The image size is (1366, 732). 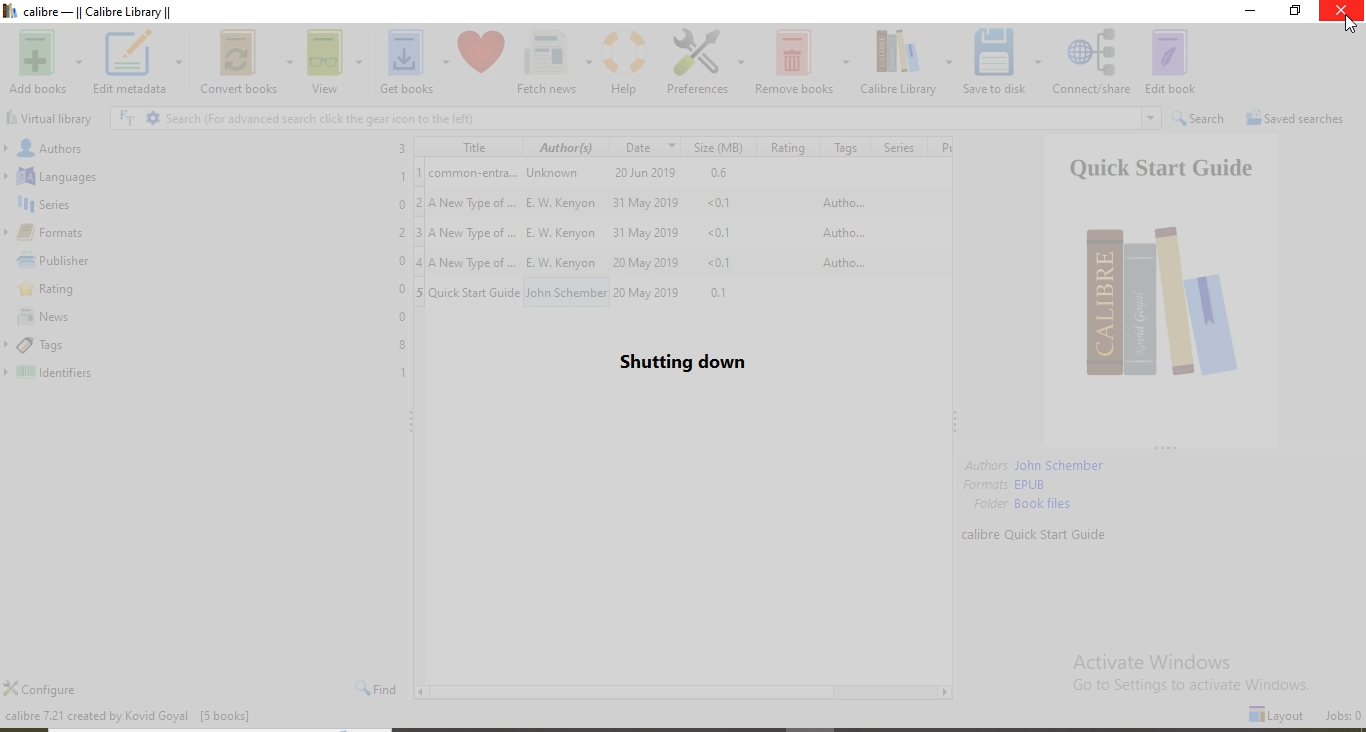 I want to click on Title, so click(x=465, y=147).